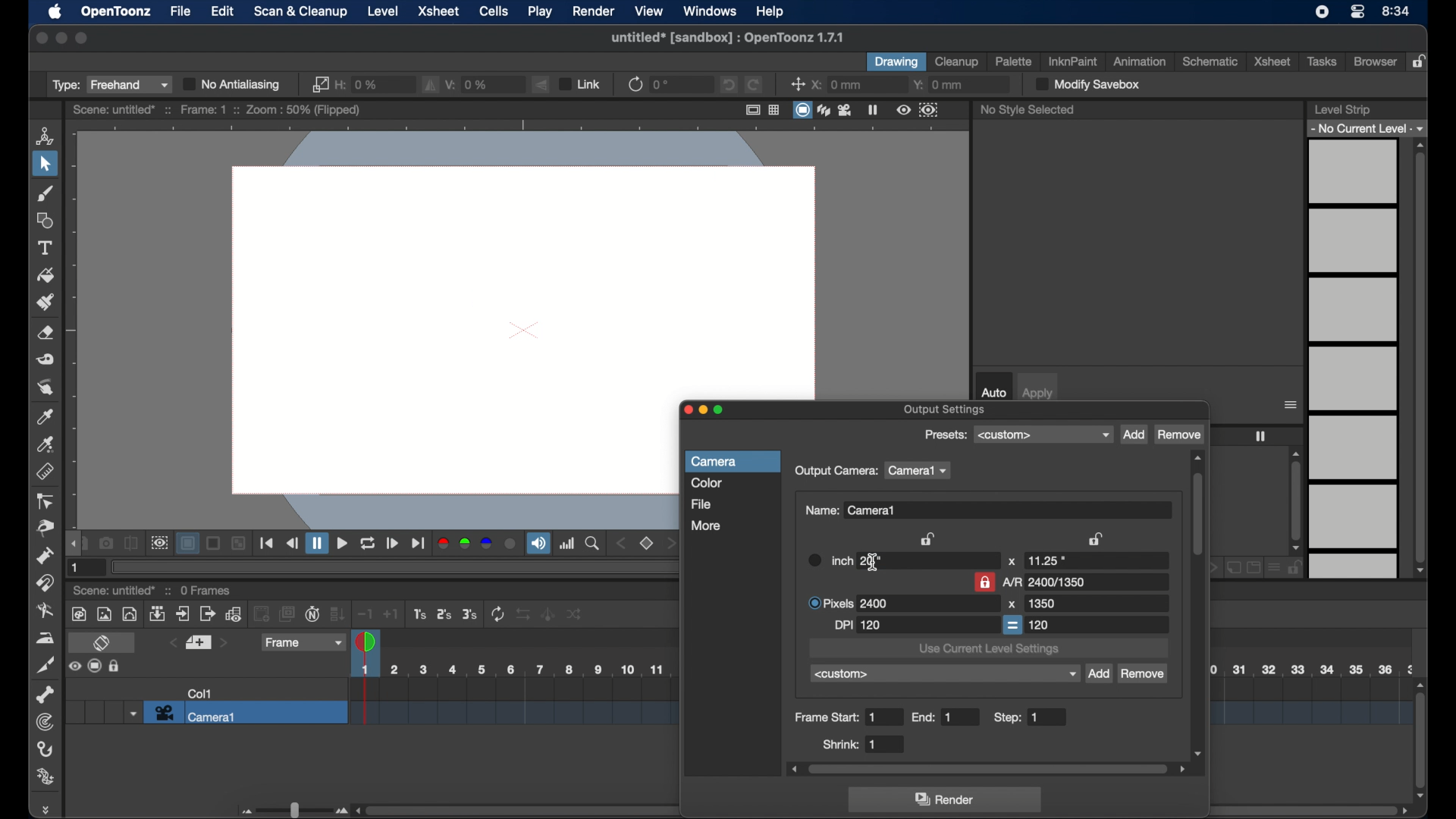  Describe the element at coordinates (649, 10) in the screenshot. I see `view` at that location.